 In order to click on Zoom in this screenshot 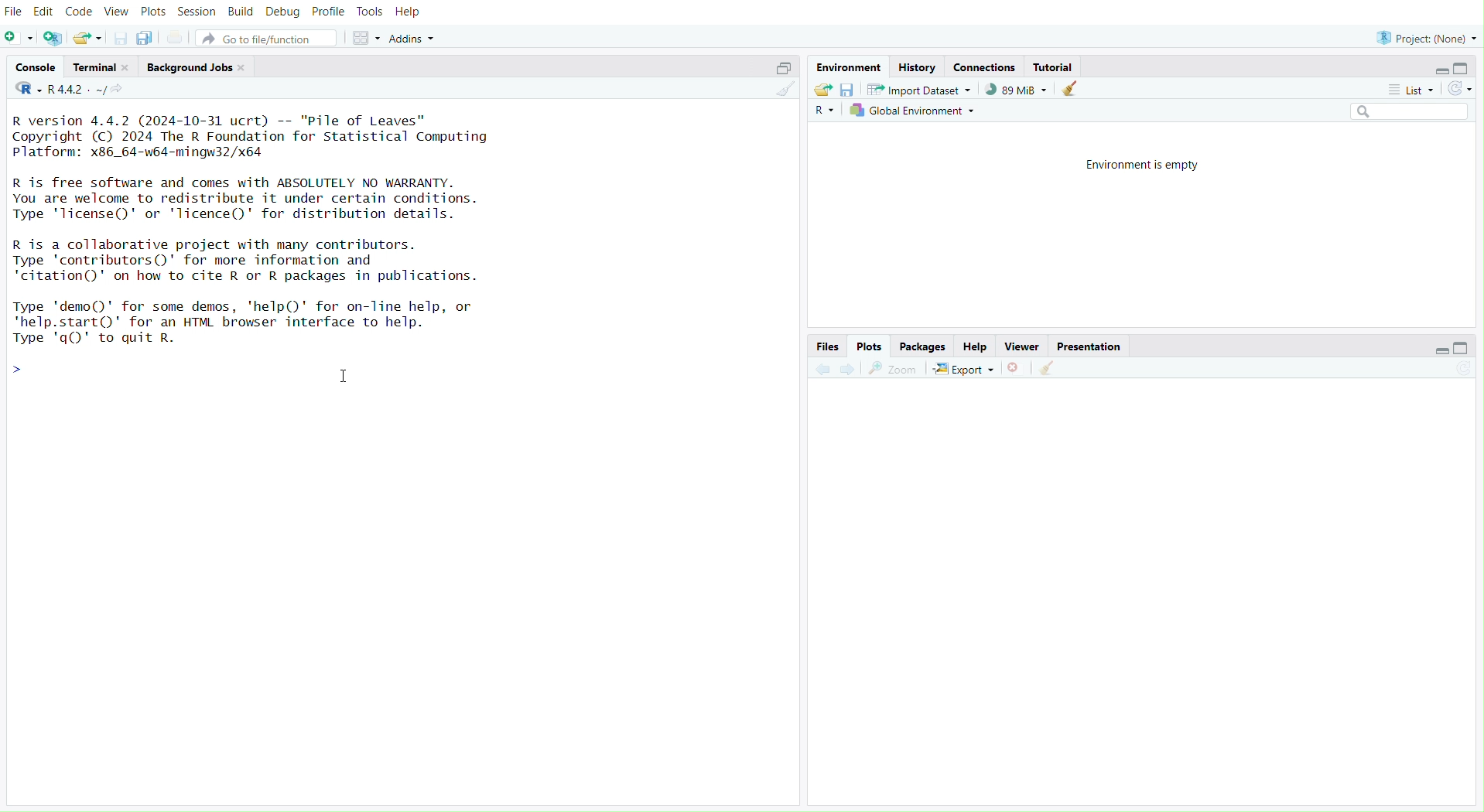, I will do `click(898, 367)`.